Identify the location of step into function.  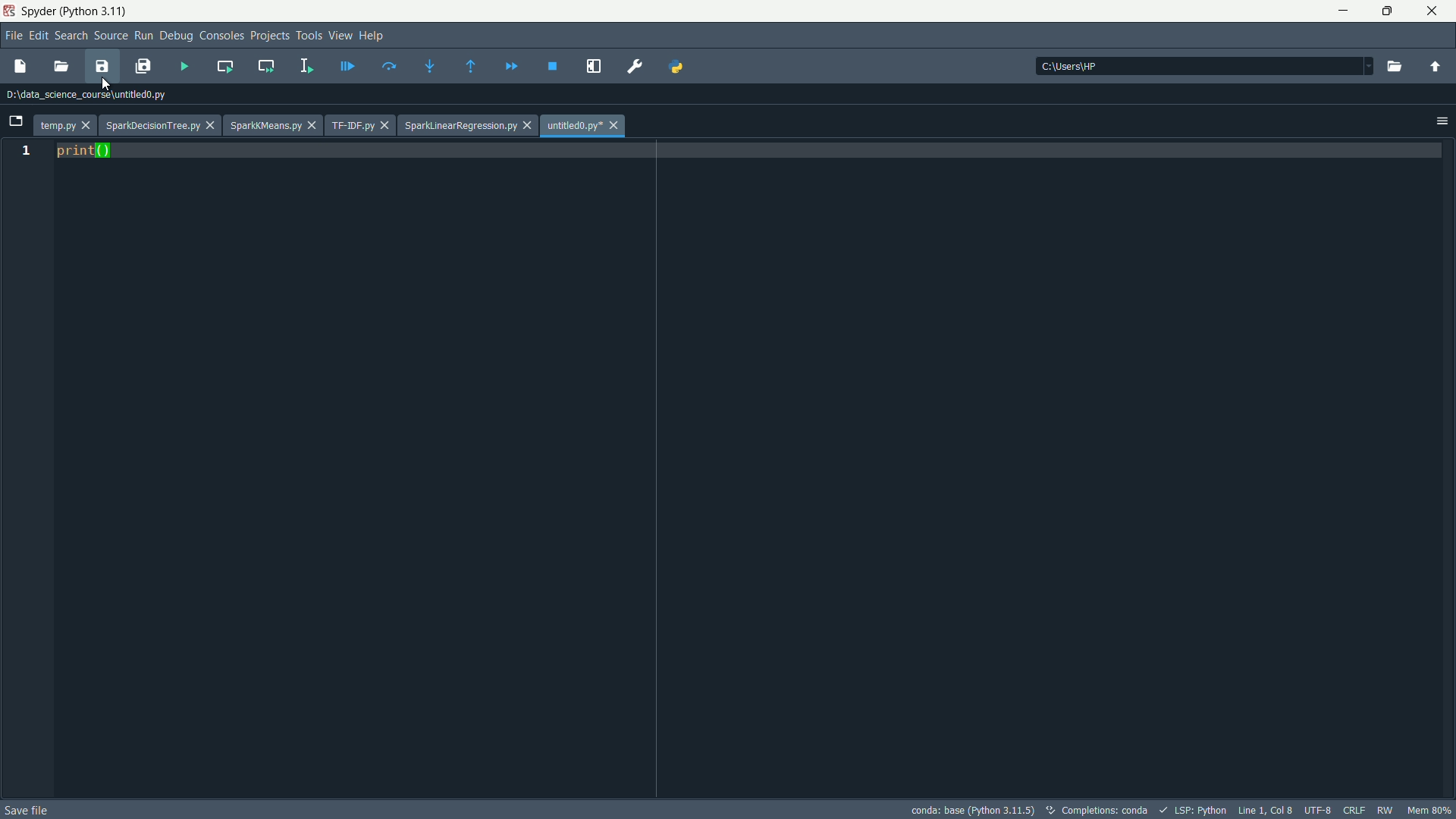
(431, 65).